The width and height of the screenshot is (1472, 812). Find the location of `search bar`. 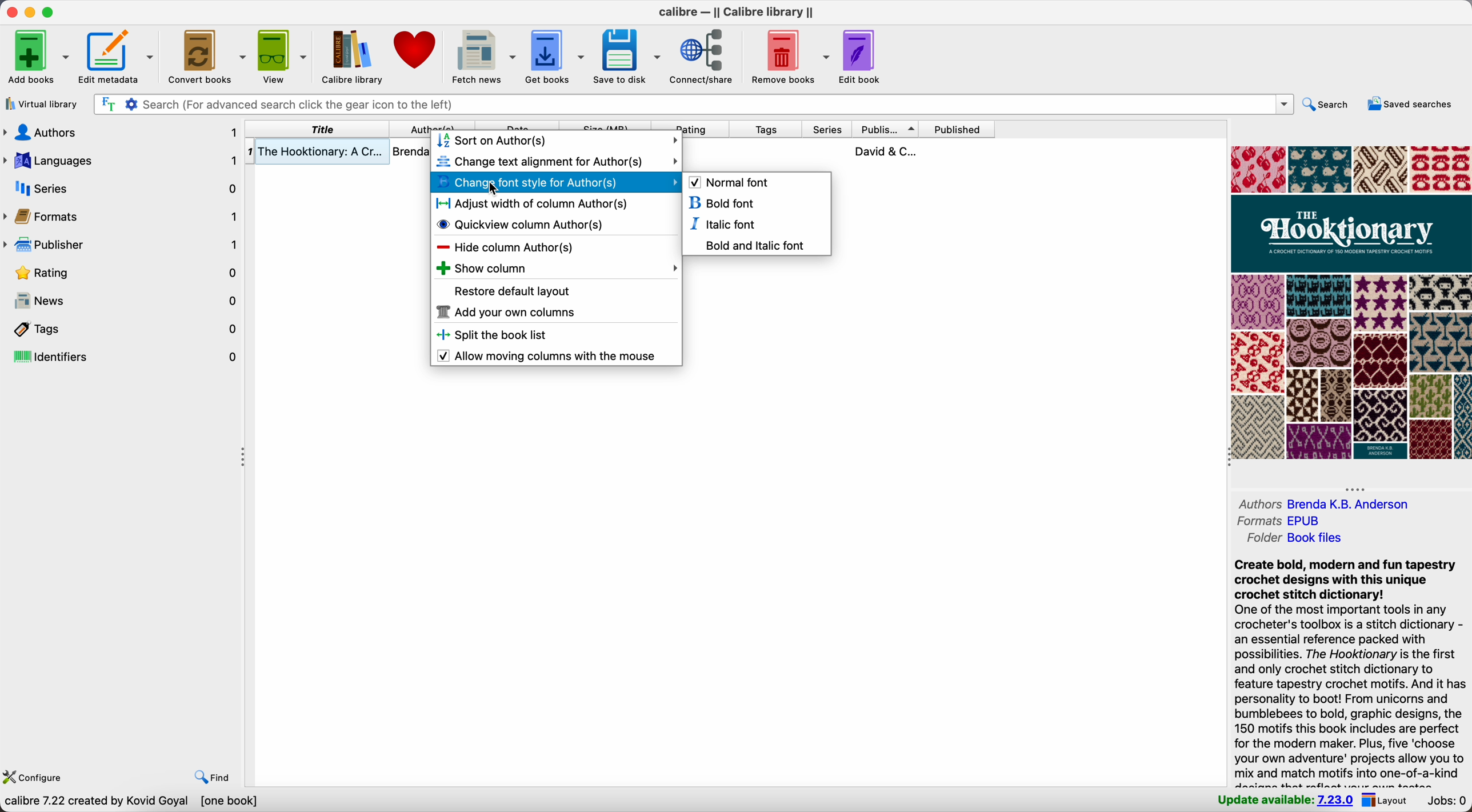

search bar is located at coordinates (694, 104).